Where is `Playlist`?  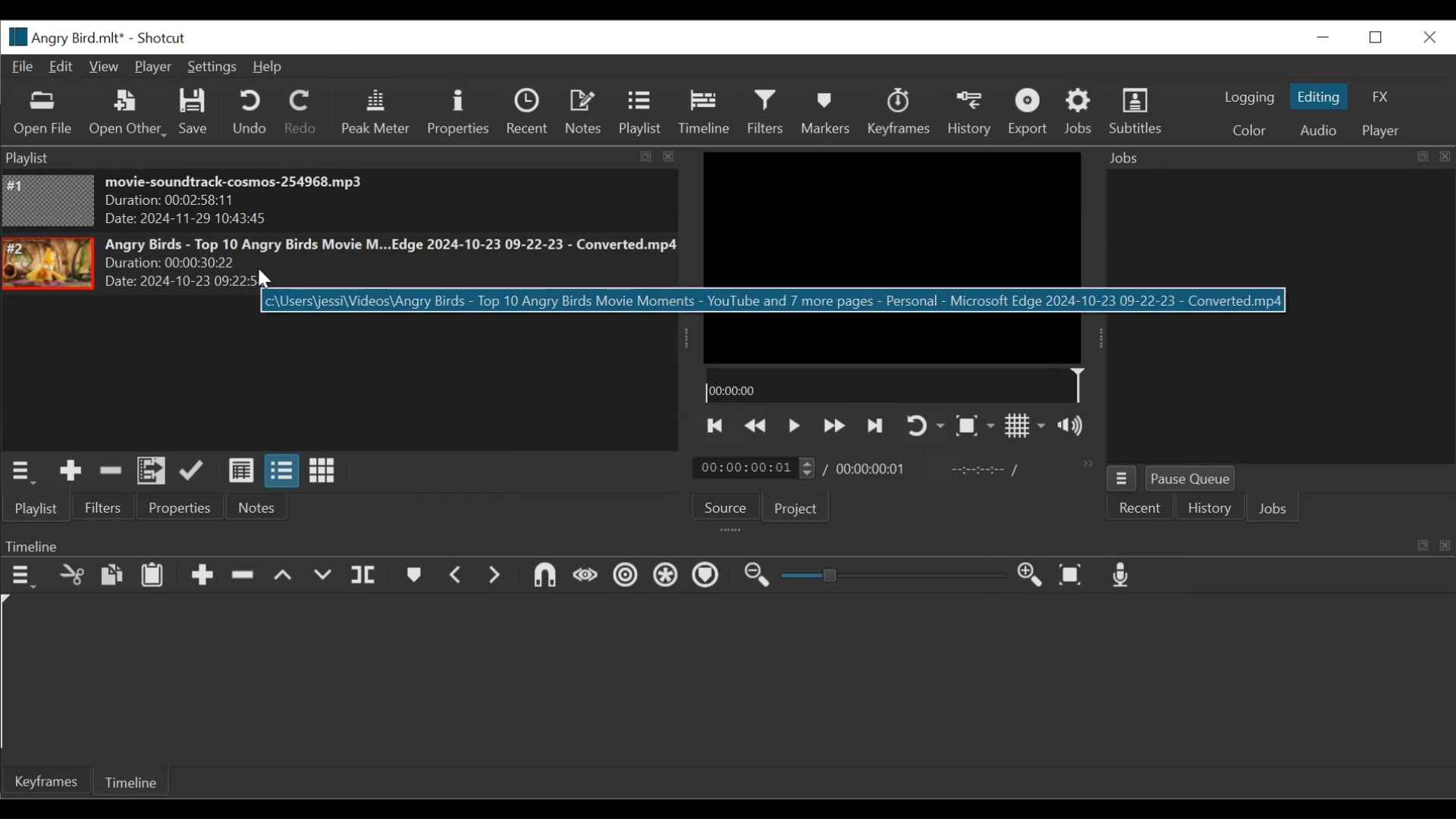 Playlist is located at coordinates (42, 507).